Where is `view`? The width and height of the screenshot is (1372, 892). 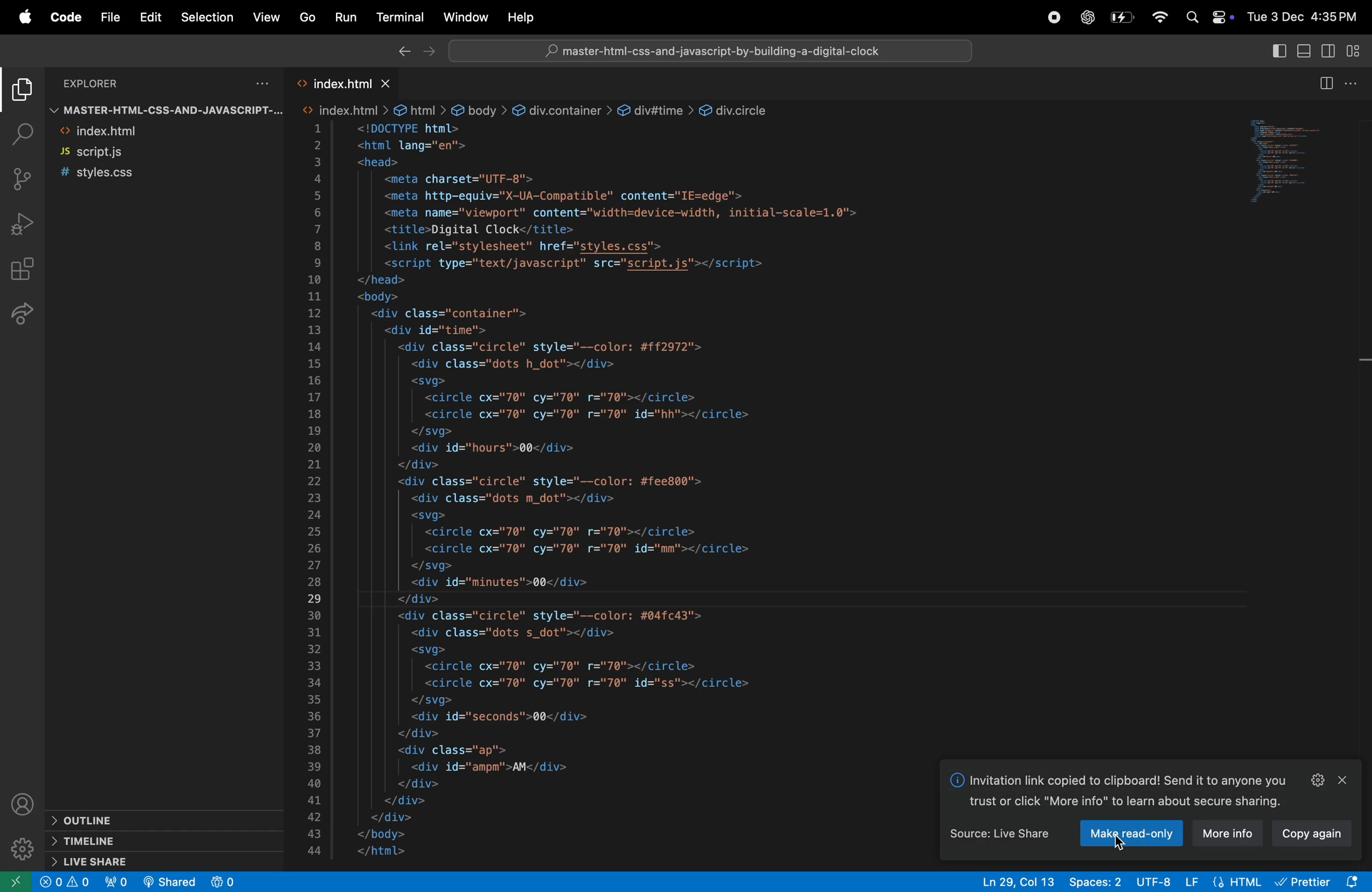 view is located at coordinates (267, 18).